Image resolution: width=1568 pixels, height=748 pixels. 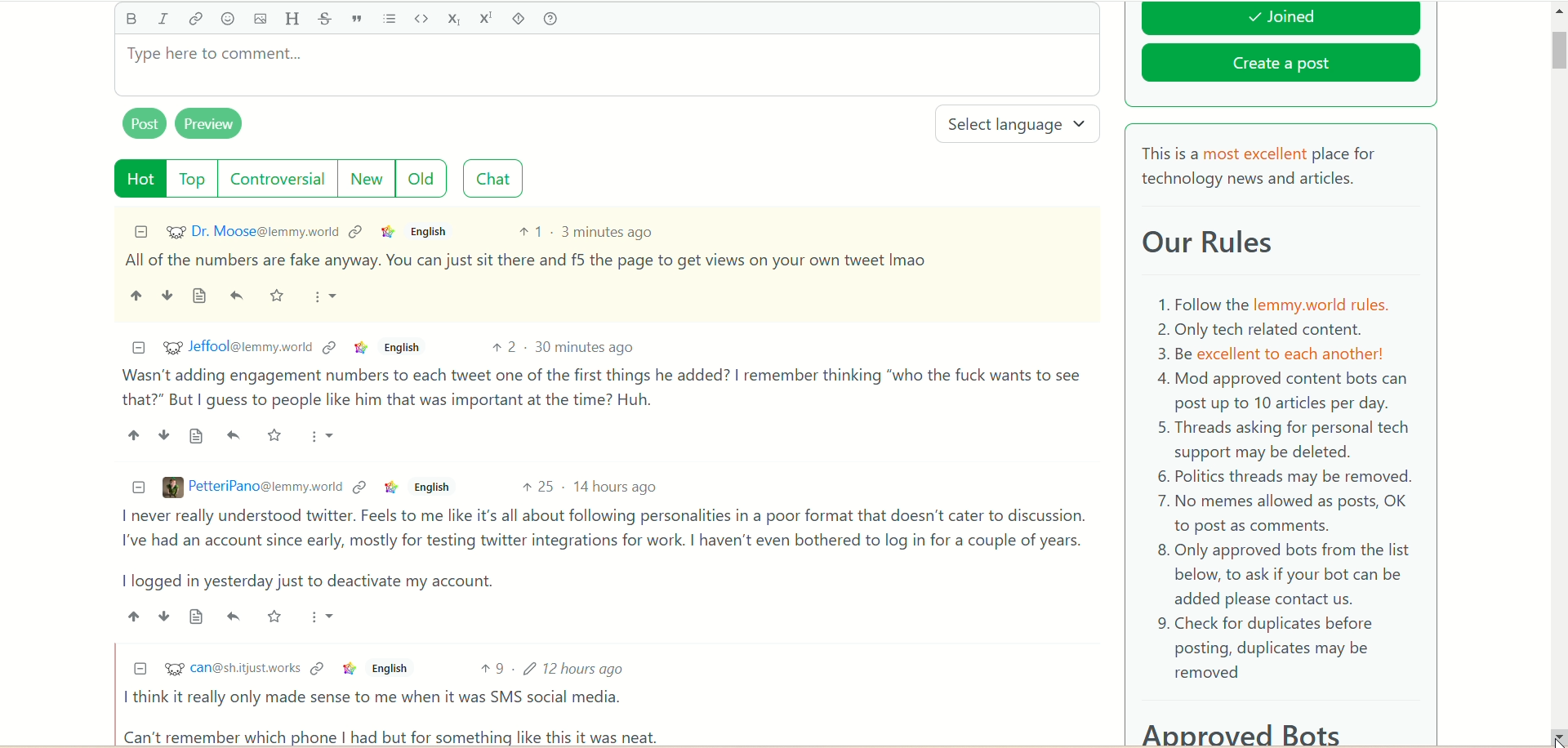 What do you see at coordinates (136, 295) in the screenshot?
I see `Upvote ` at bounding box center [136, 295].